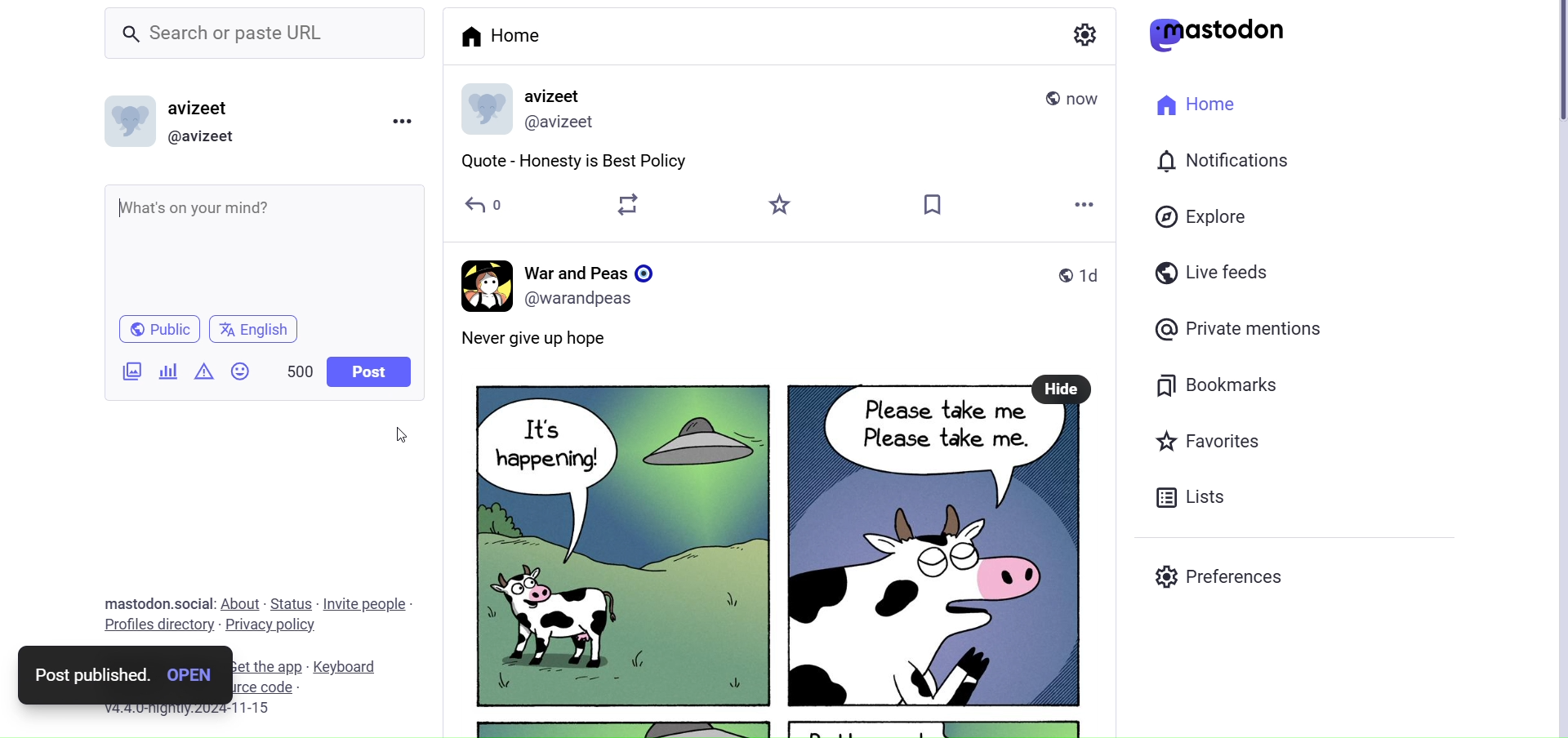 The image size is (1568, 738). Describe the element at coordinates (1207, 440) in the screenshot. I see `Favorites` at that location.